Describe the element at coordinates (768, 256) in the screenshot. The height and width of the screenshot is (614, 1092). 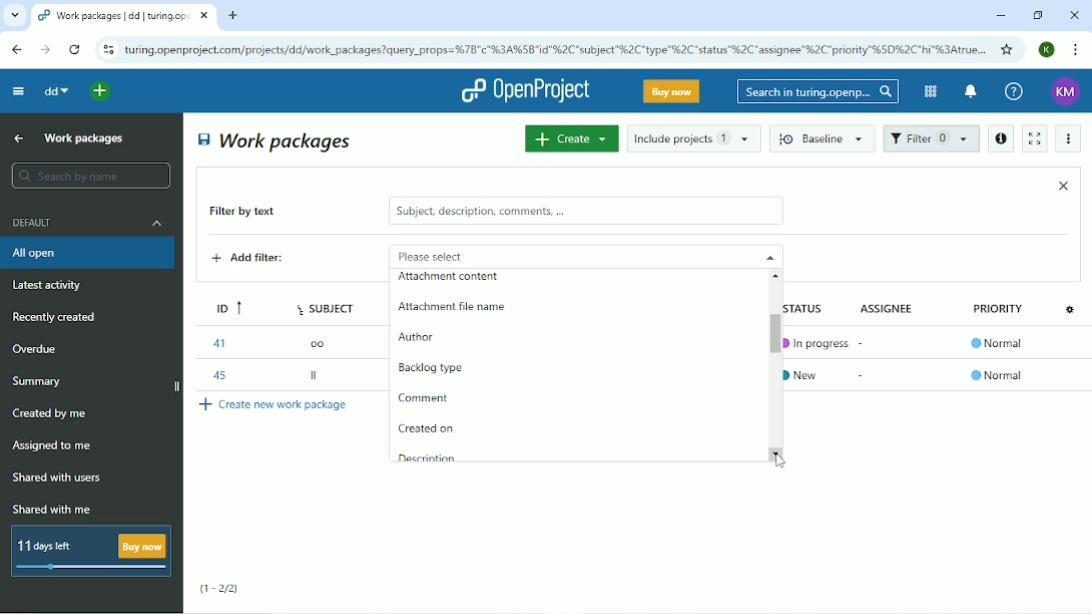
I see `close drop down menu` at that location.